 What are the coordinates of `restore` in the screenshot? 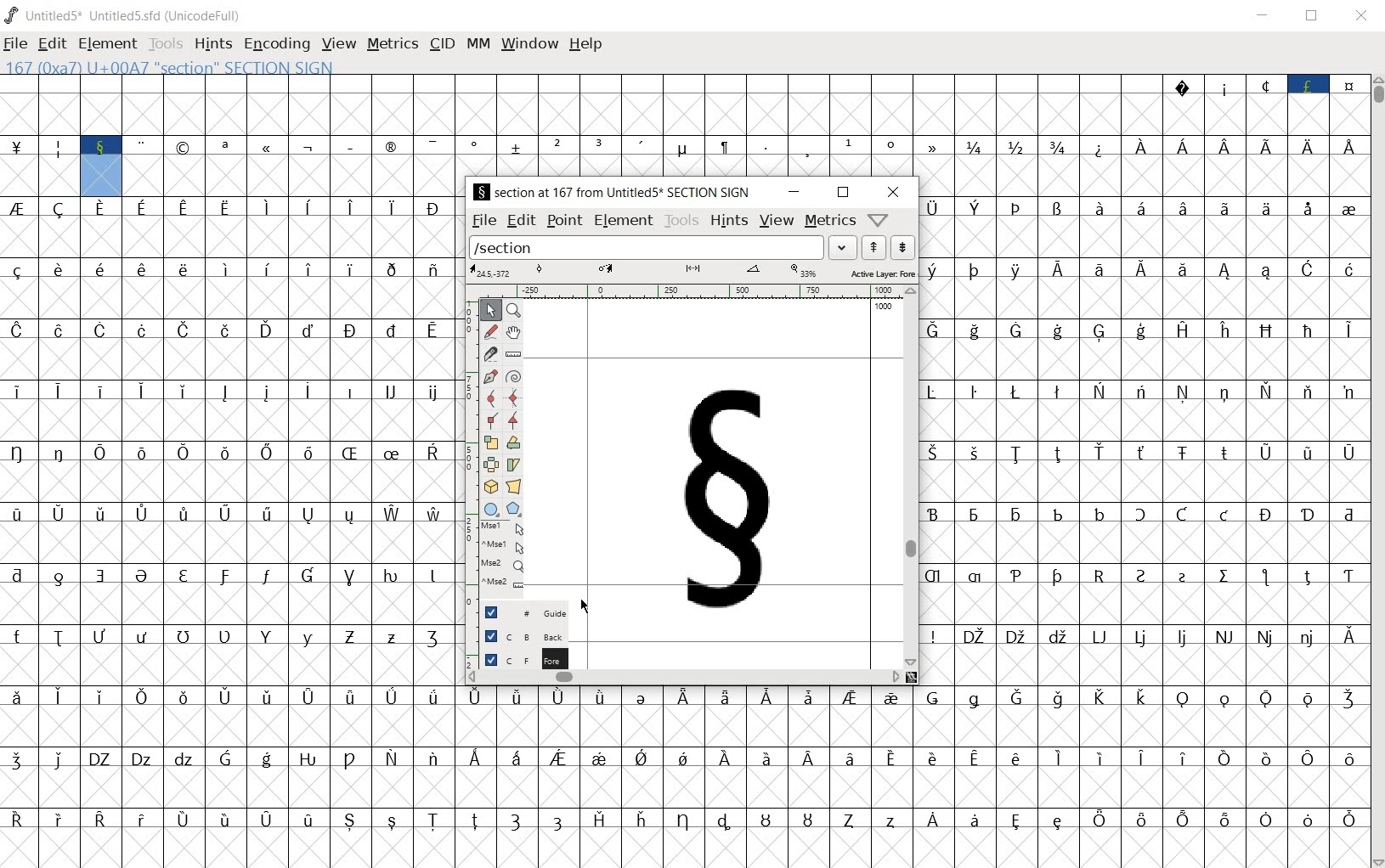 It's located at (843, 193).